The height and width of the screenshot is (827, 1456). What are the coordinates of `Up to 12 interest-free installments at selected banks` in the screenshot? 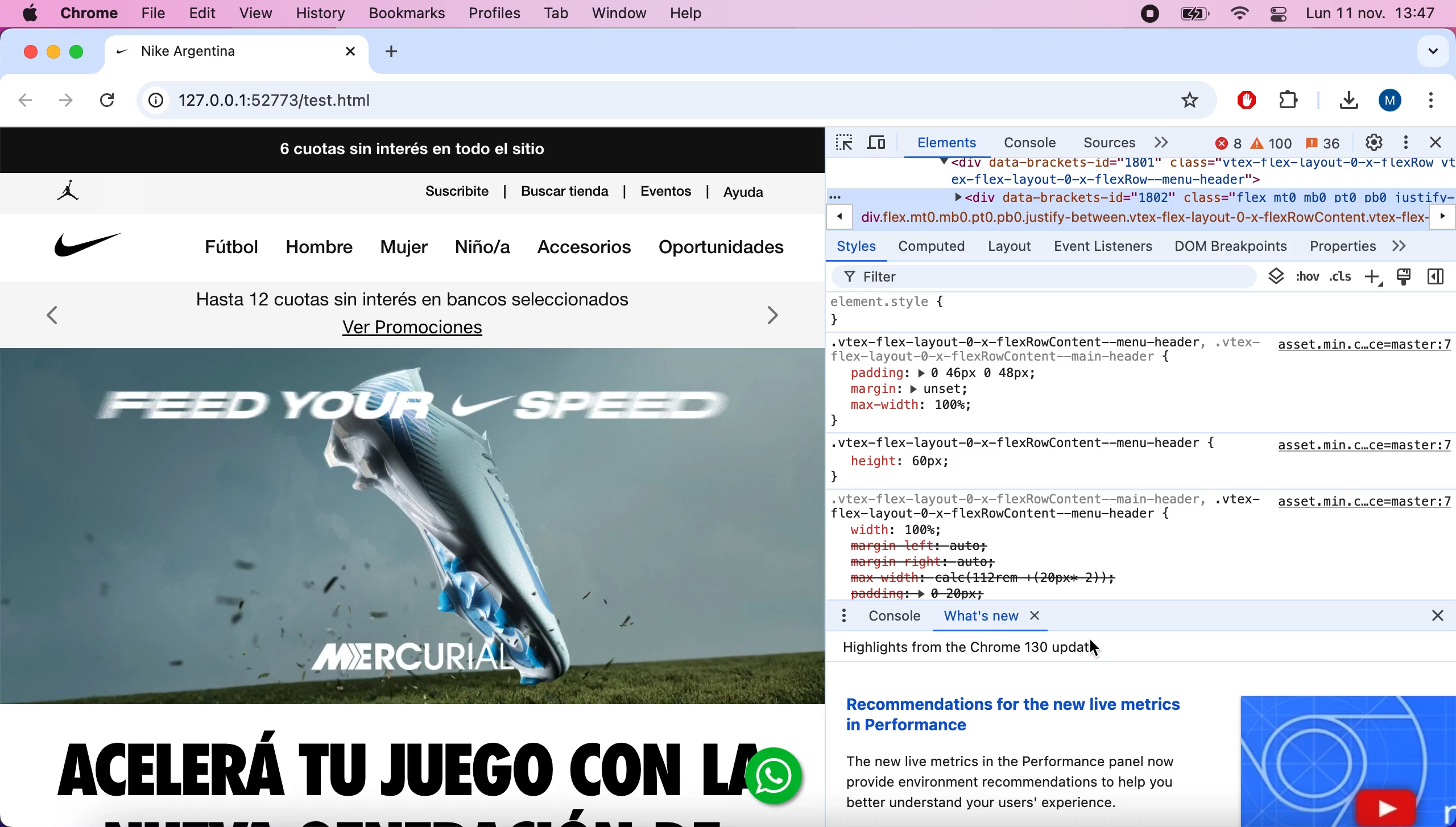 It's located at (412, 300).